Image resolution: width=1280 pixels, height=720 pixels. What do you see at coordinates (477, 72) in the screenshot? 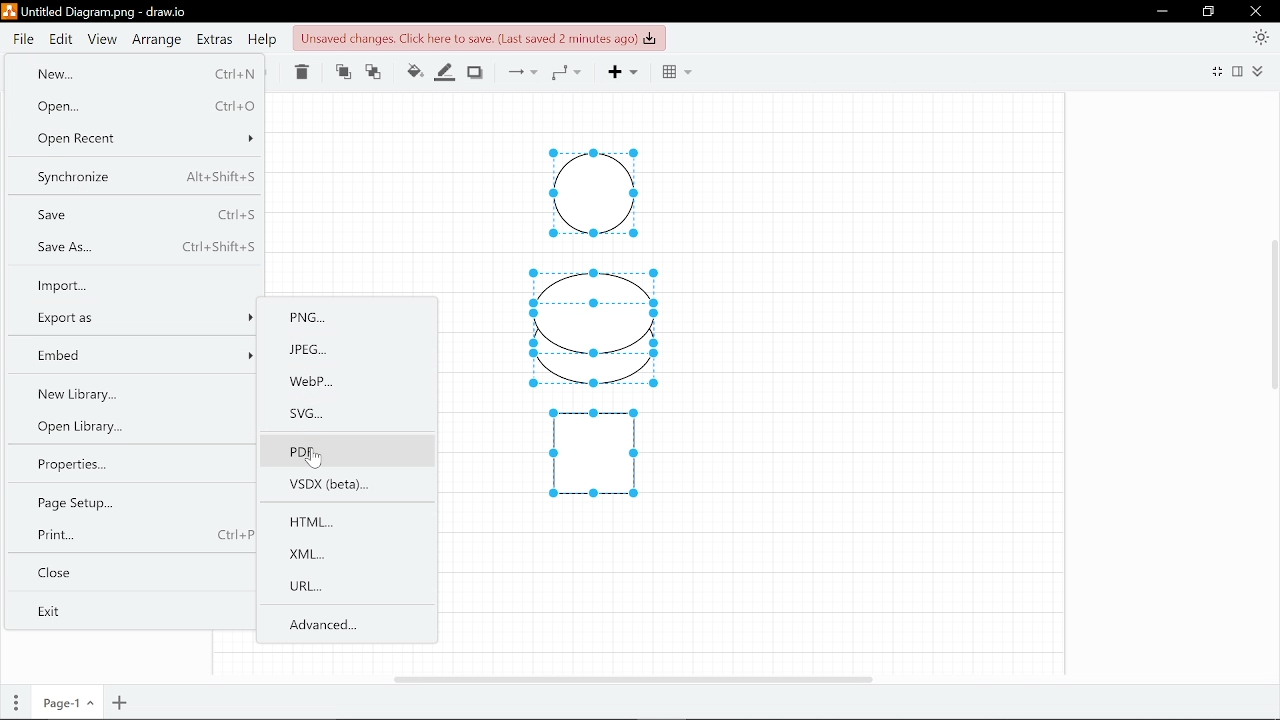
I see `Shadow` at bounding box center [477, 72].